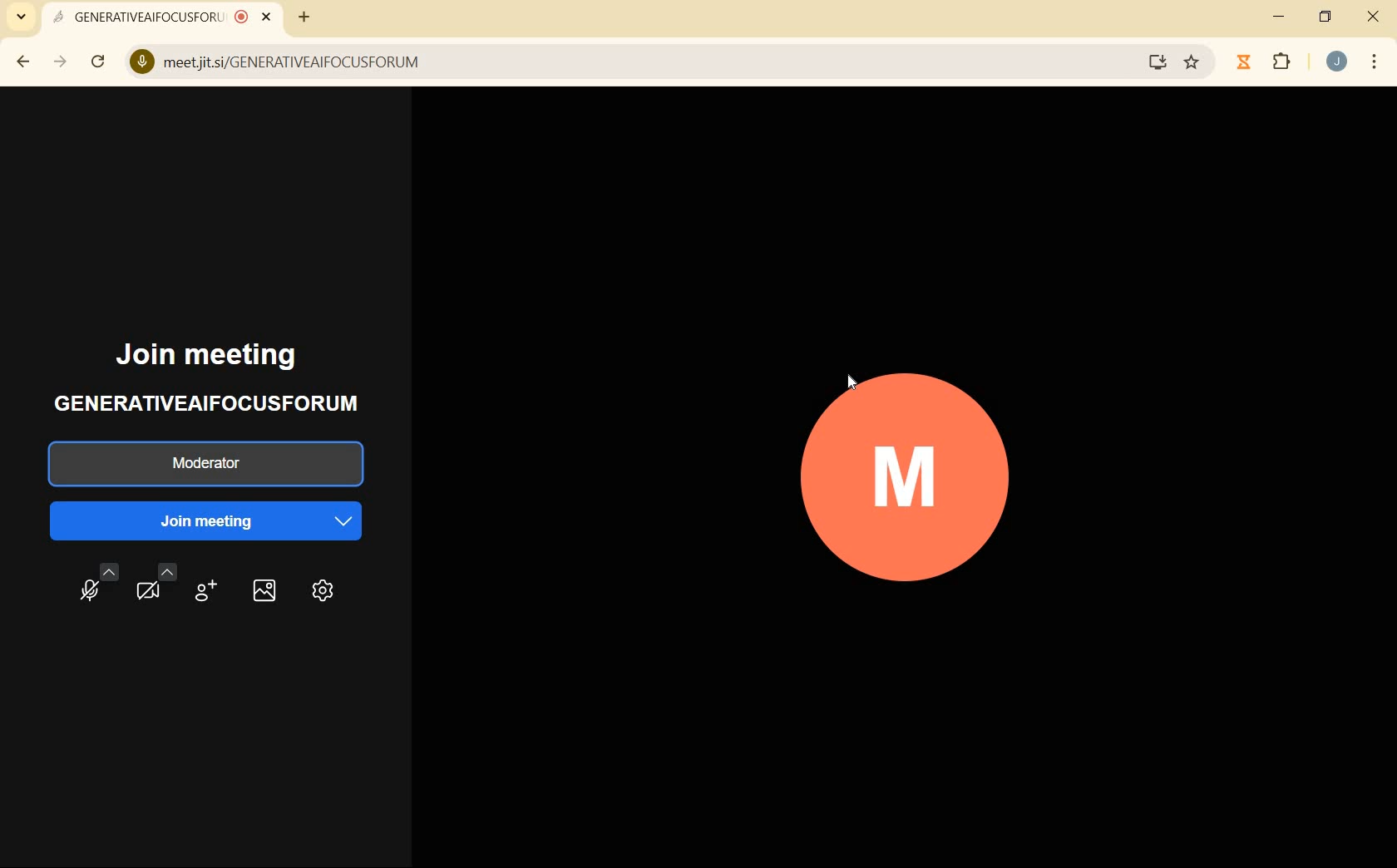 Image resolution: width=1397 pixels, height=868 pixels. I want to click on JOIN MEETING, so click(213, 520).